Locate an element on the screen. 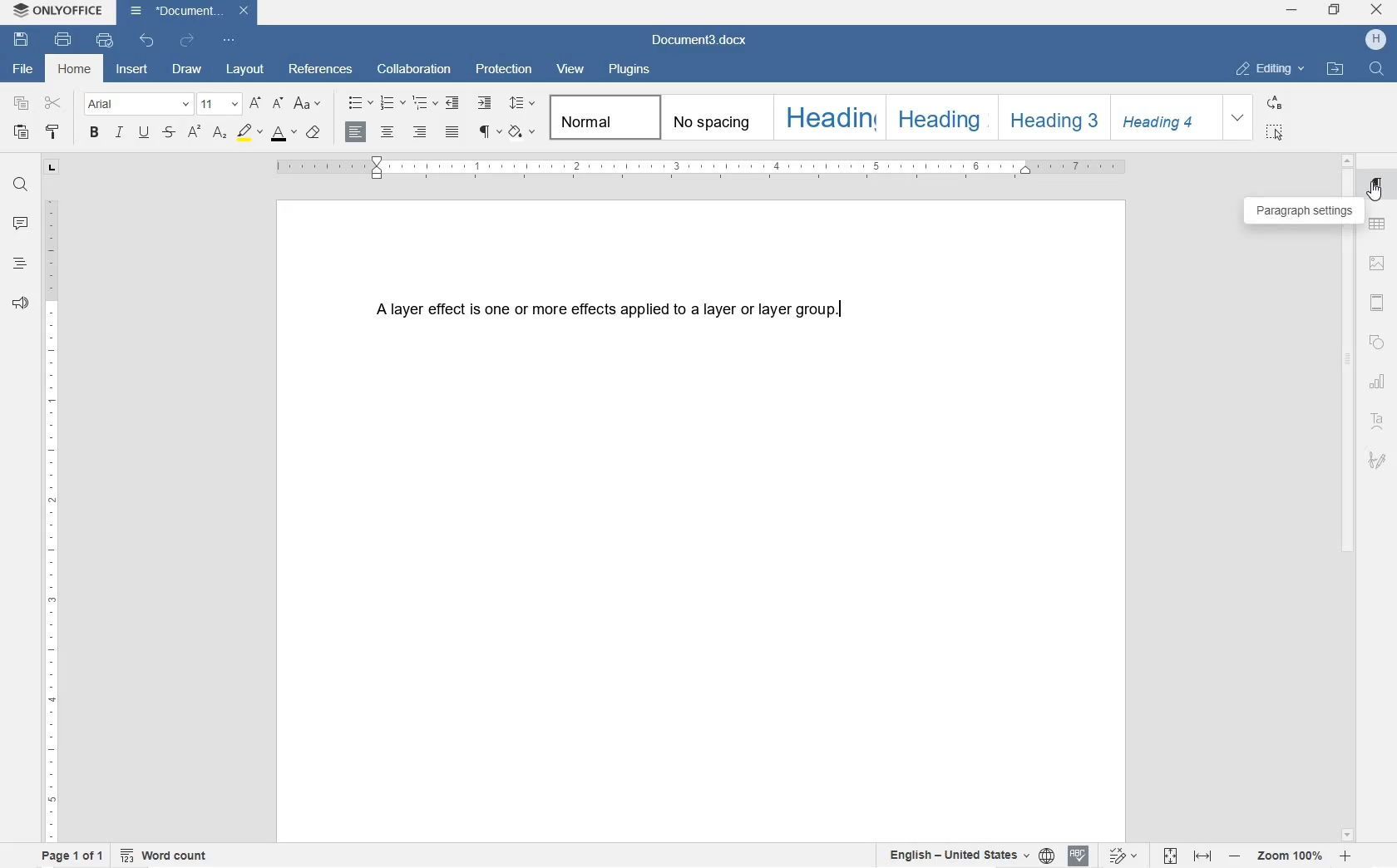 The image size is (1397, 868). ITALIC is located at coordinates (119, 133).